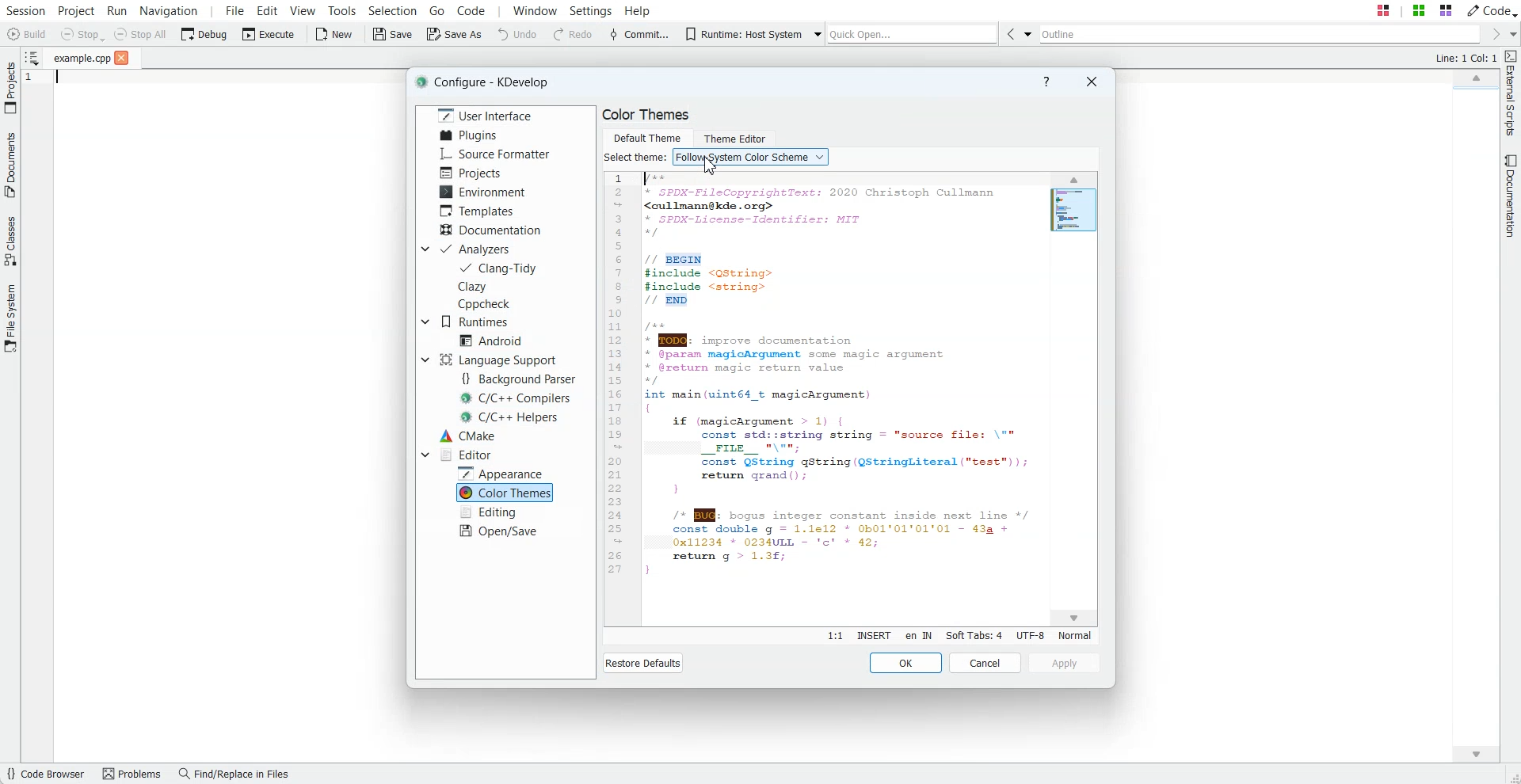 This screenshot has height=784, width=1521. What do you see at coordinates (1511, 196) in the screenshot?
I see `Documentation` at bounding box center [1511, 196].